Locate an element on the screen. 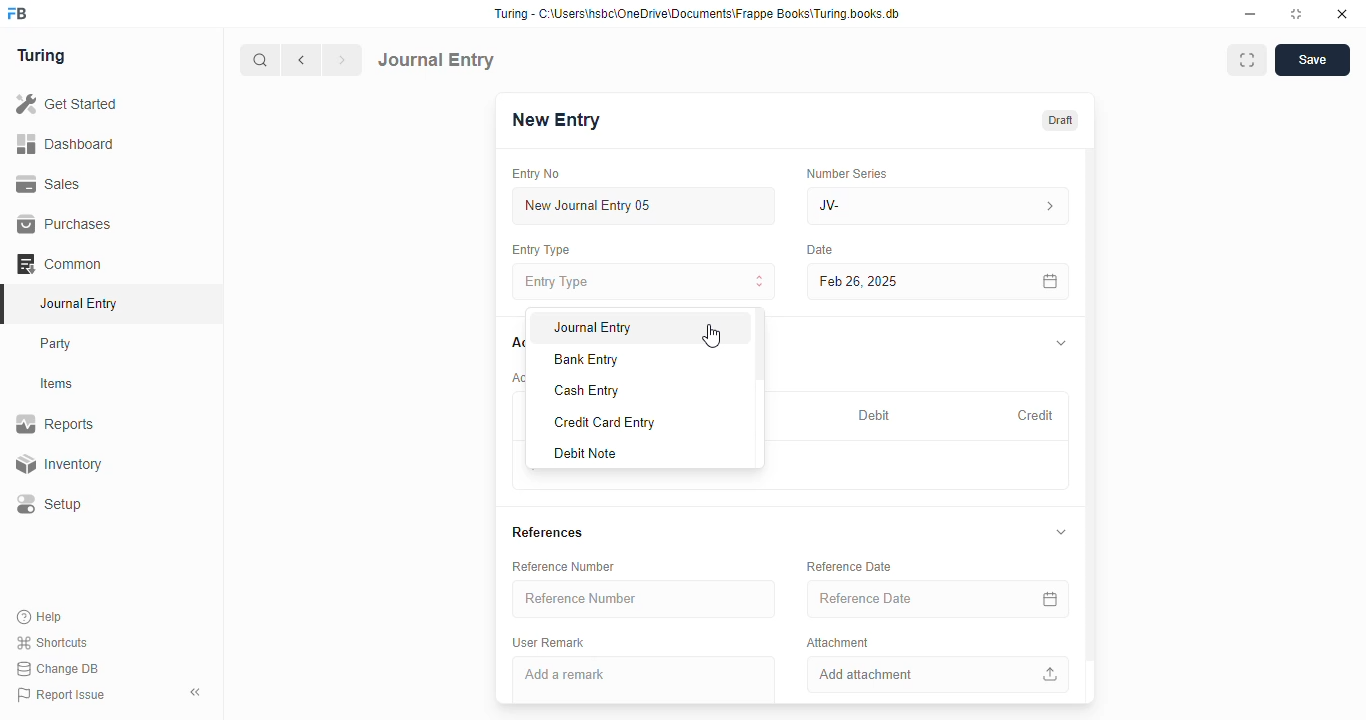 The width and height of the screenshot is (1366, 720). Date is located at coordinates (821, 250).